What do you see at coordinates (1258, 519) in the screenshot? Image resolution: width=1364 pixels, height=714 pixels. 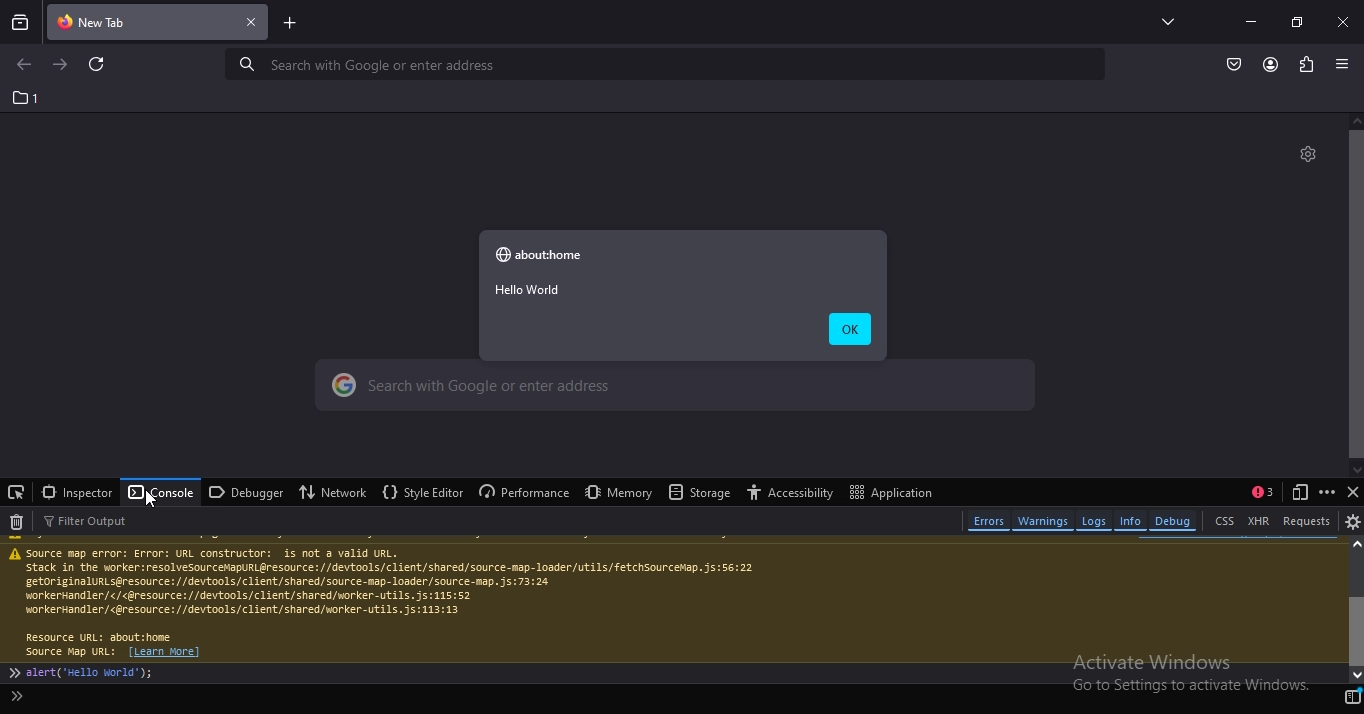 I see `XHR` at bounding box center [1258, 519].